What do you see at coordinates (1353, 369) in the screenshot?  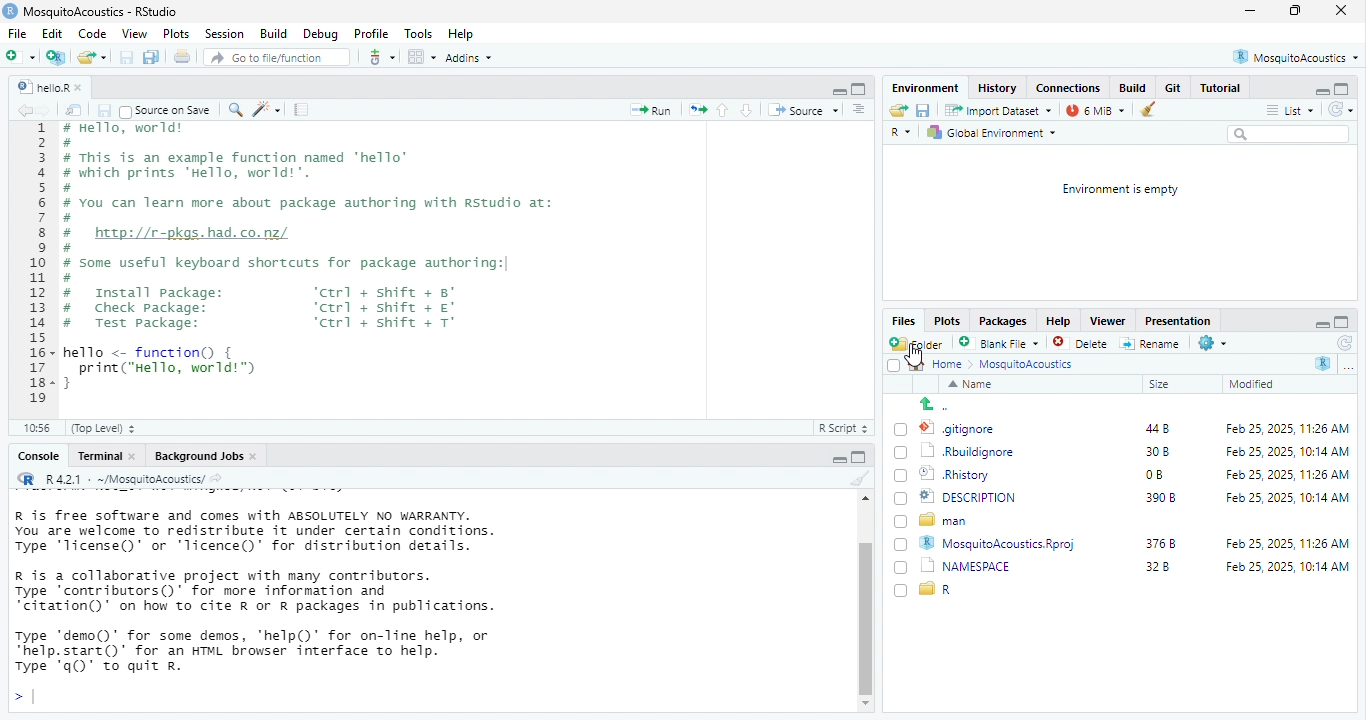 I see `option` at bounding box center [1353, 369].